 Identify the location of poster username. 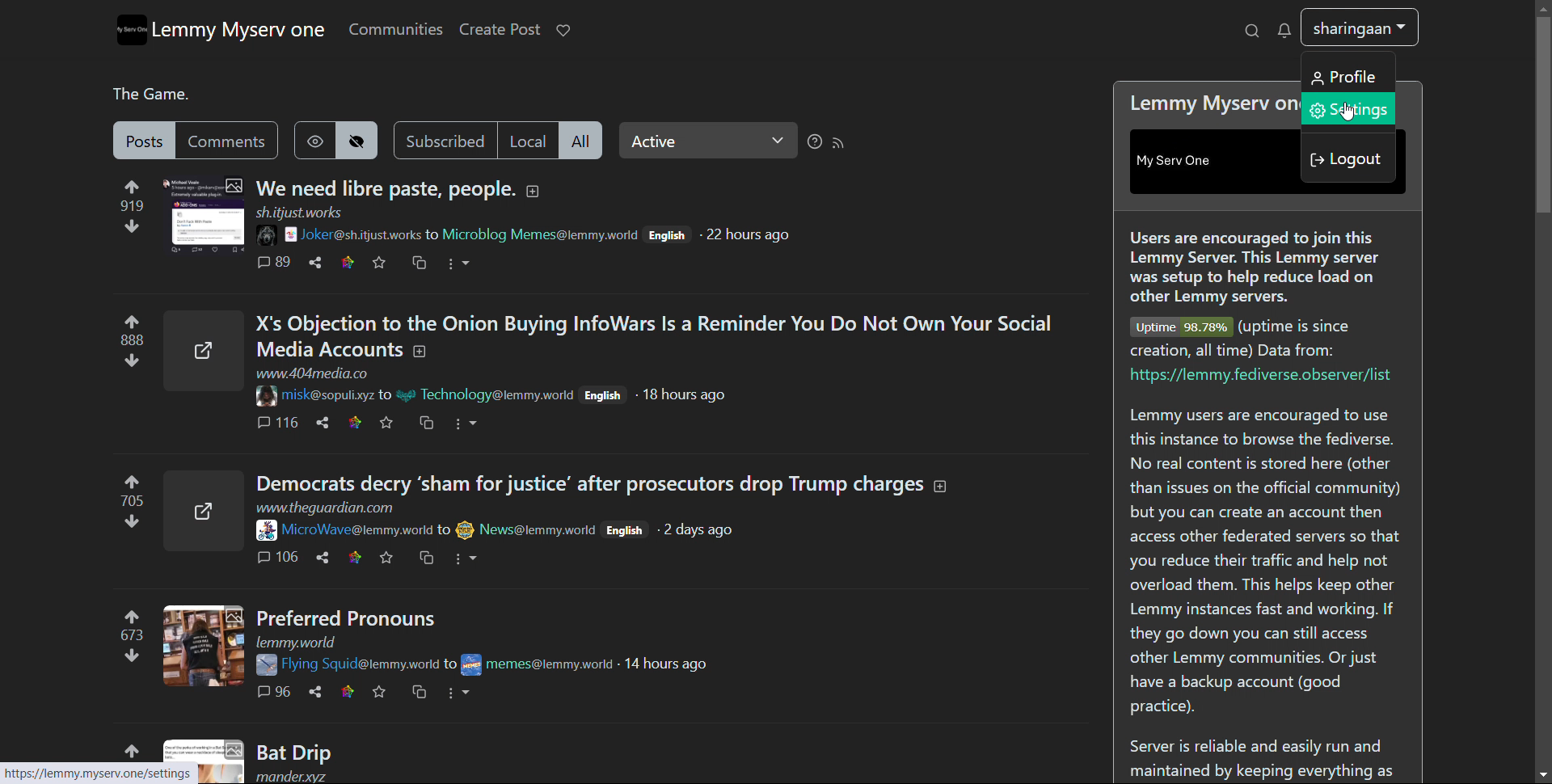
(357, 531).